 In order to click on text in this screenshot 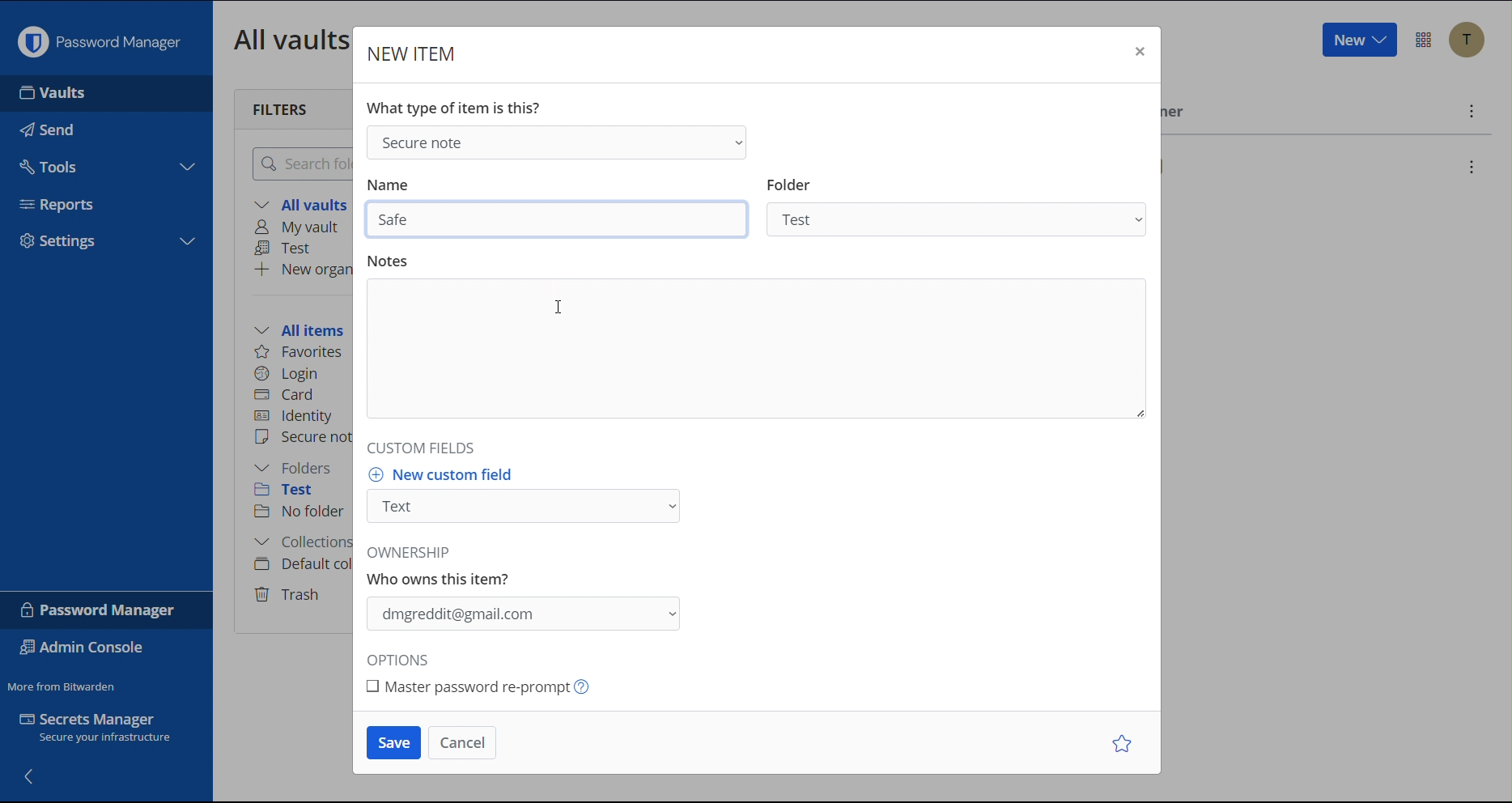, I will do `click(443, 567)`.